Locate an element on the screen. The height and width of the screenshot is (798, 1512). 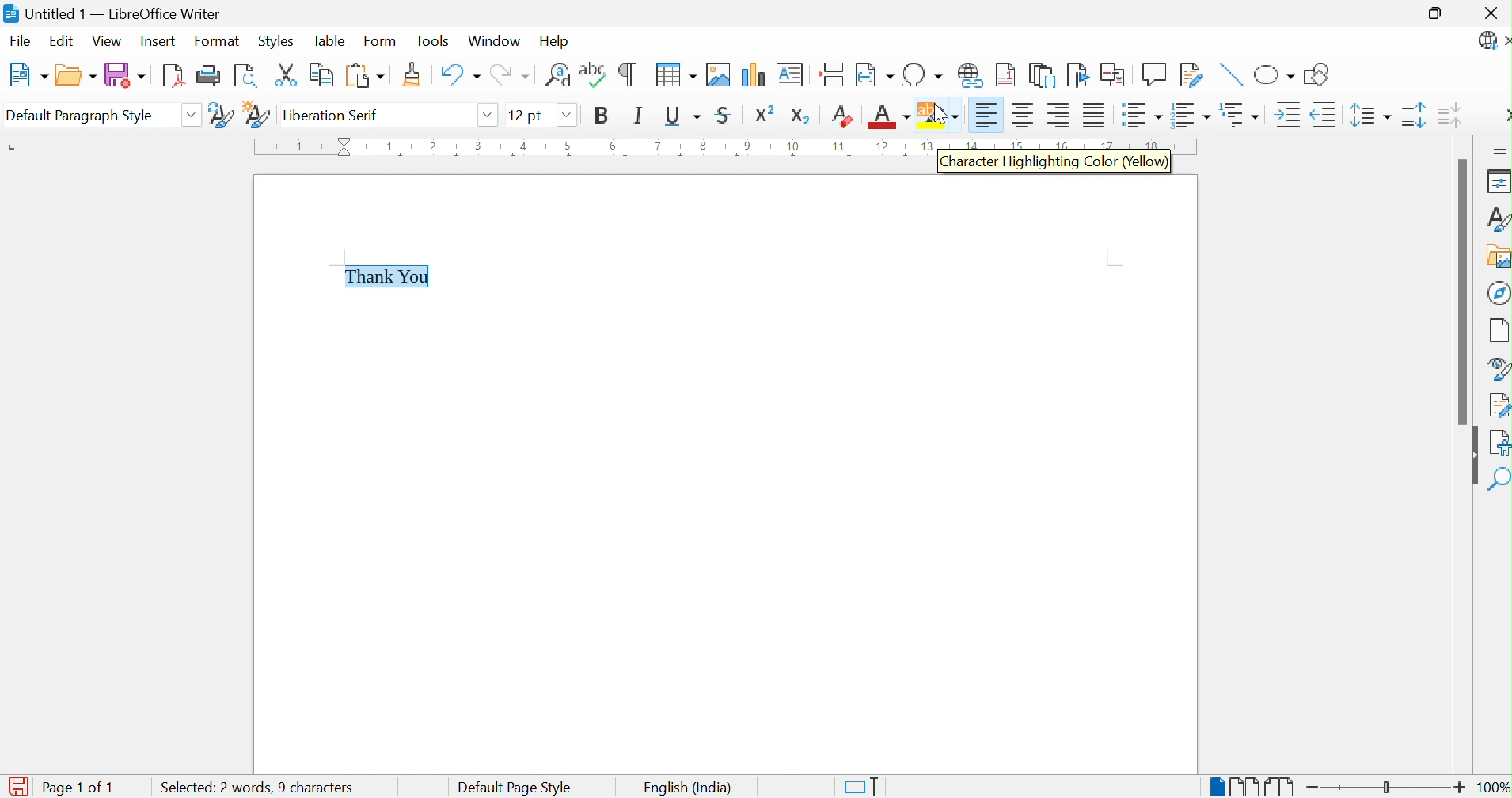
Minimize is located at coordinates (1382, 13).